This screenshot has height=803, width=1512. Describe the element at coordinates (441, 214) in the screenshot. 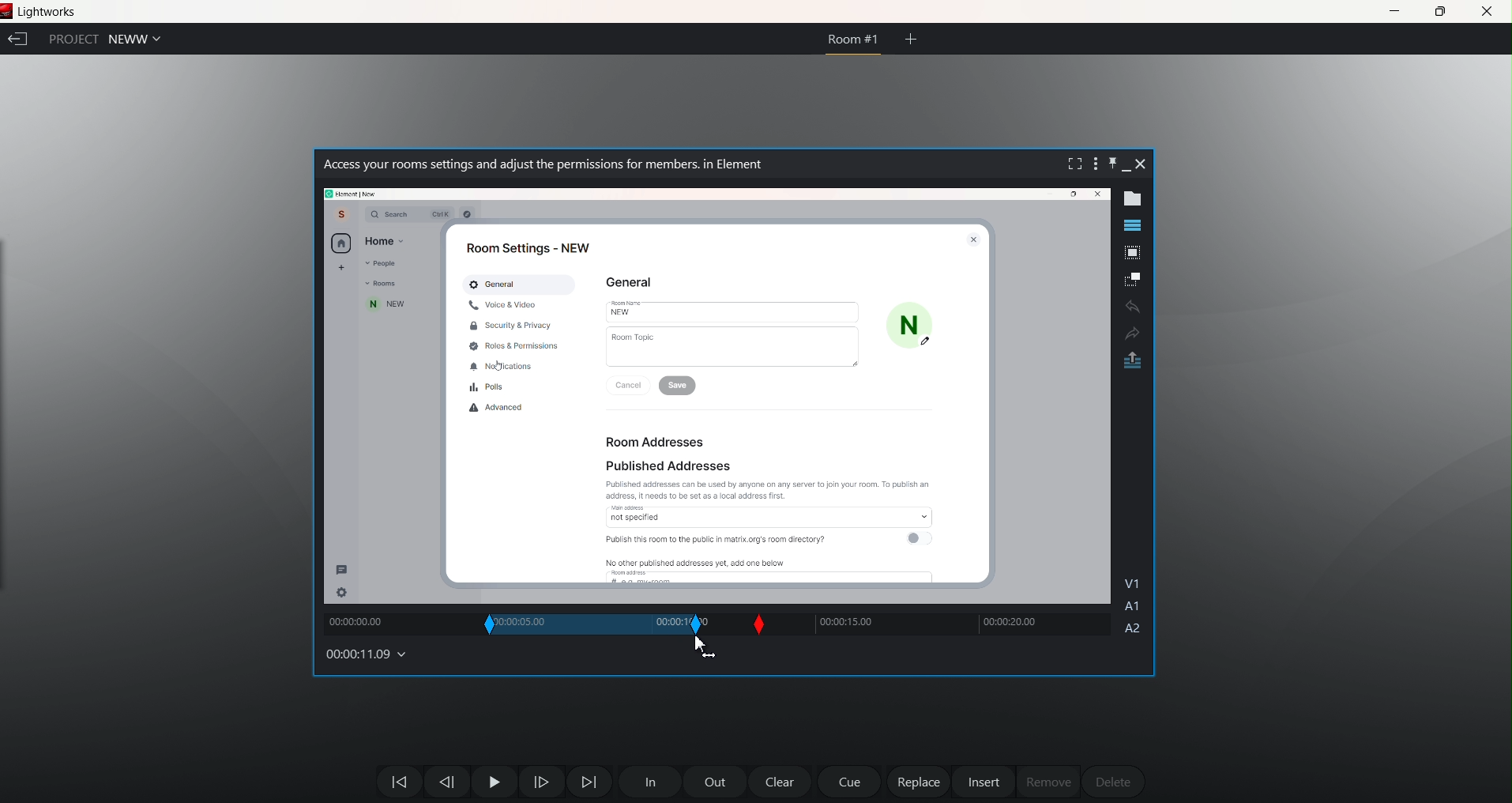

I see `ctrl k` at that location.